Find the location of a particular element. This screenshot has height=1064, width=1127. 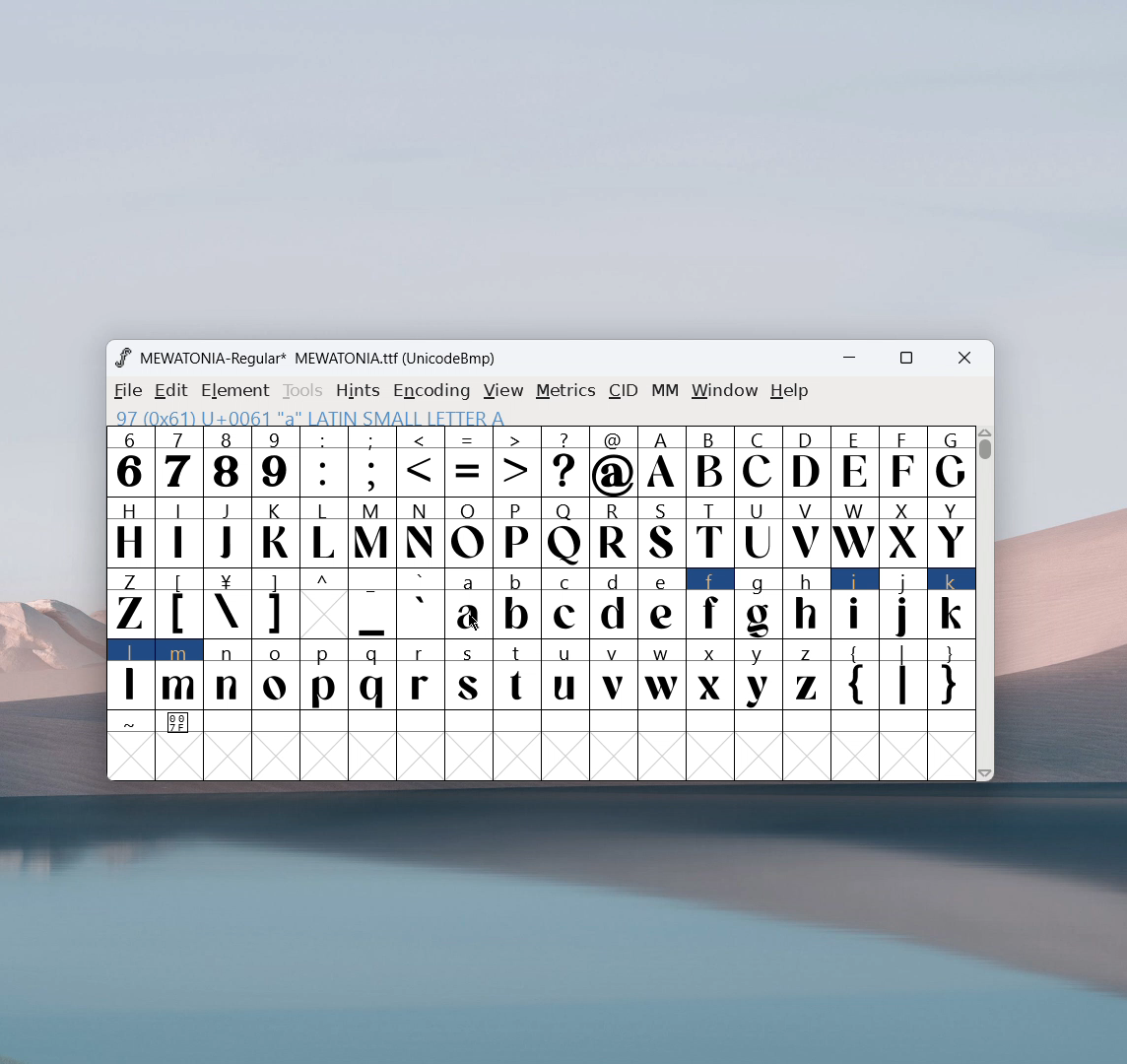

D is located at coordinates (805, 460).